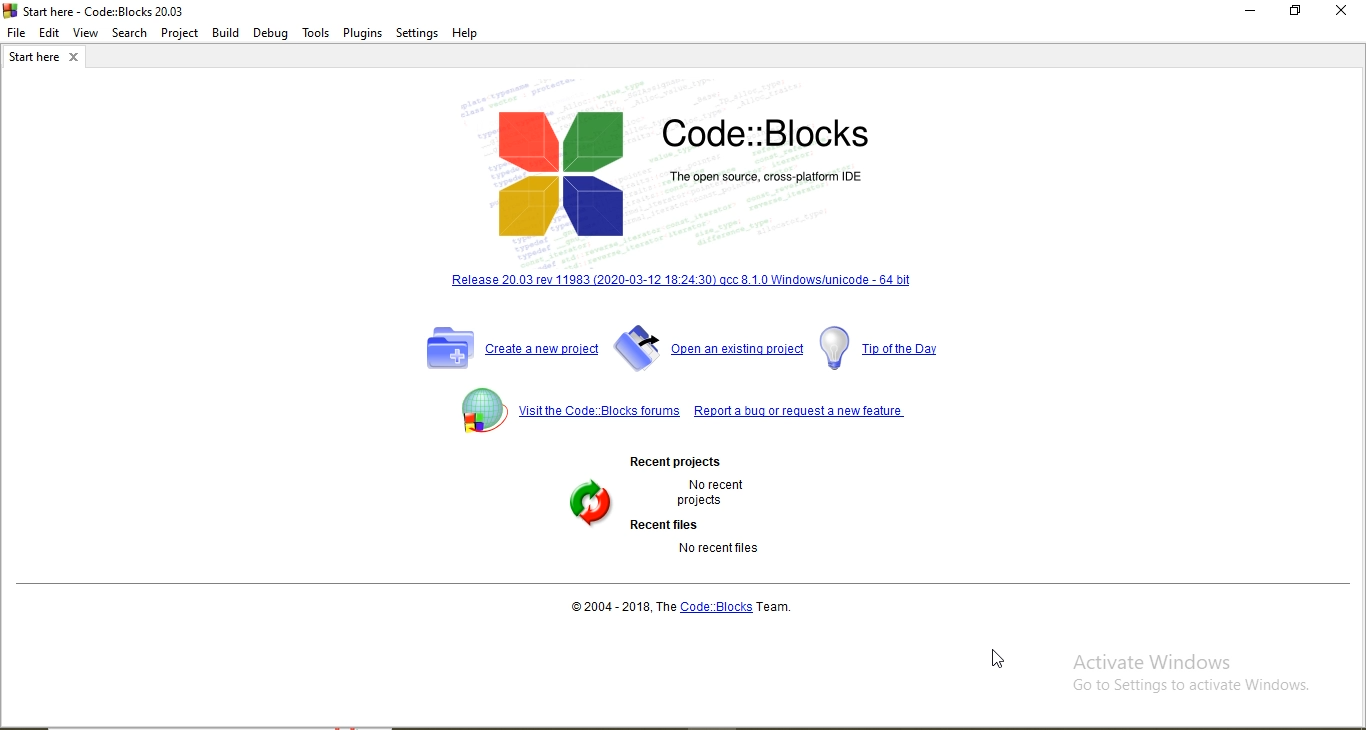 Image resolution: width=1366 pixels, height=730 pixels. Describe the element at coordinates (468, 34) in the screenshot. I see `Help` at that location.